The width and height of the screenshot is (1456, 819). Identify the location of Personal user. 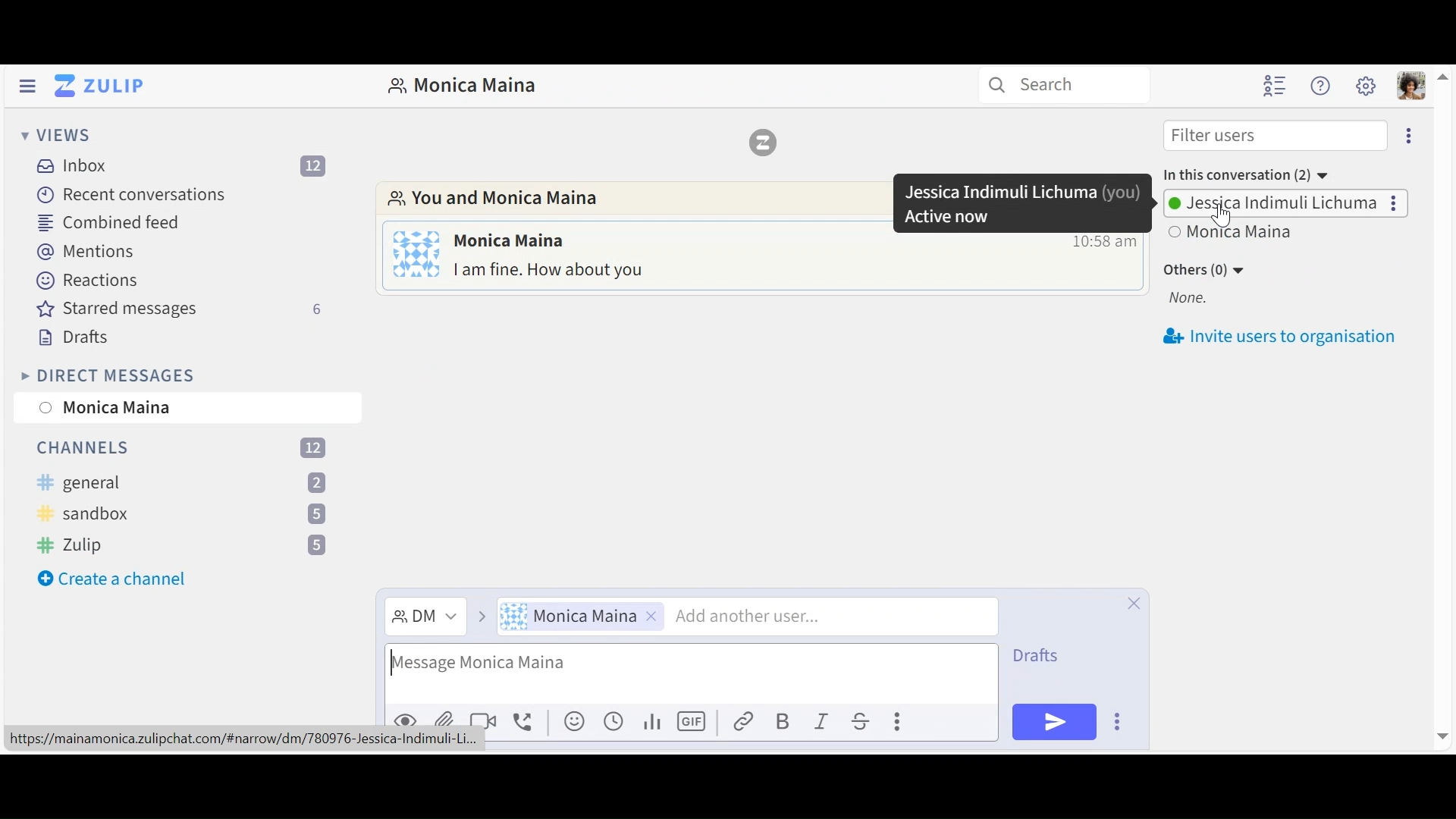
(1411, 85).